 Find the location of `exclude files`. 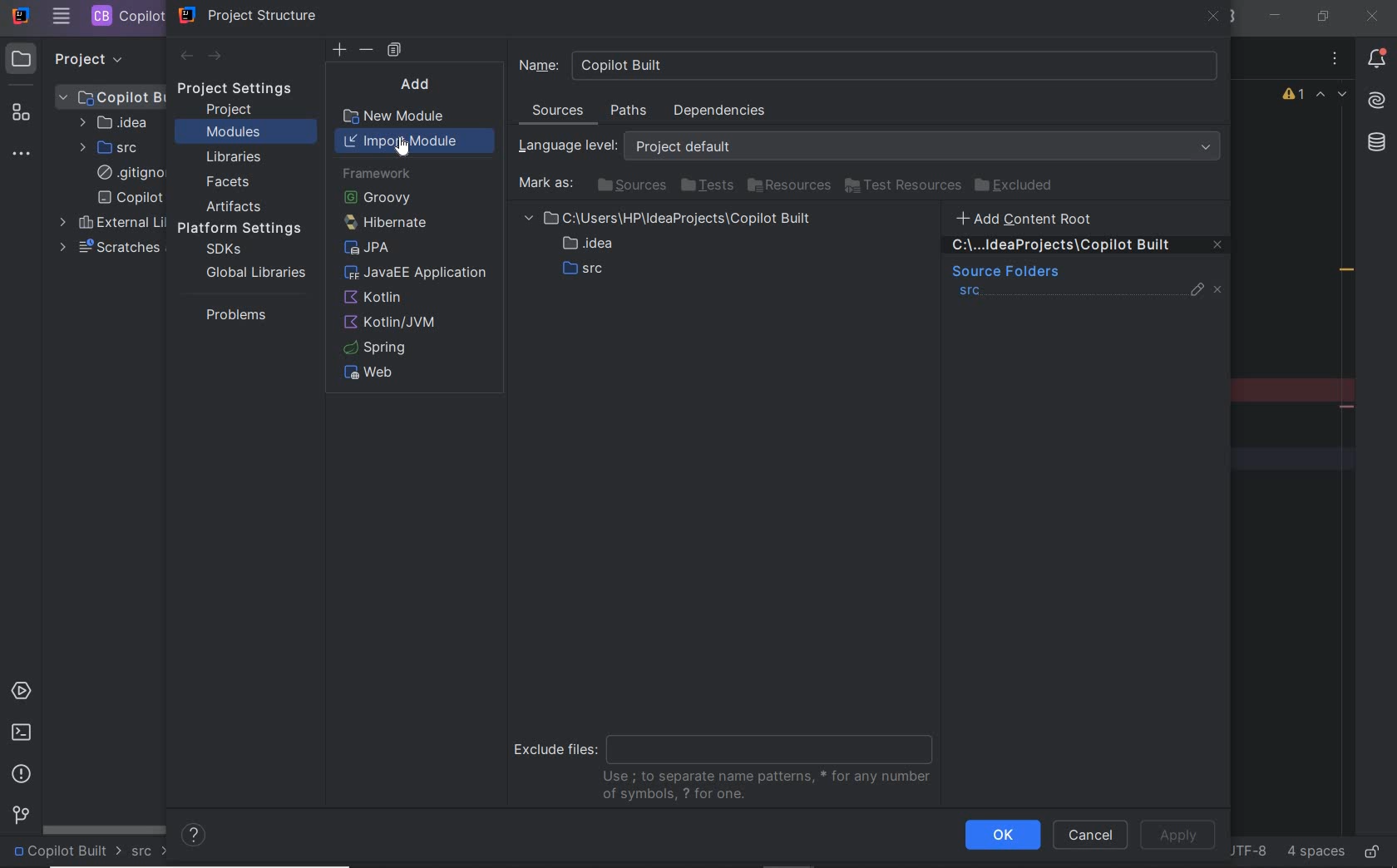

exclude files is located at coordinates (728, 761).